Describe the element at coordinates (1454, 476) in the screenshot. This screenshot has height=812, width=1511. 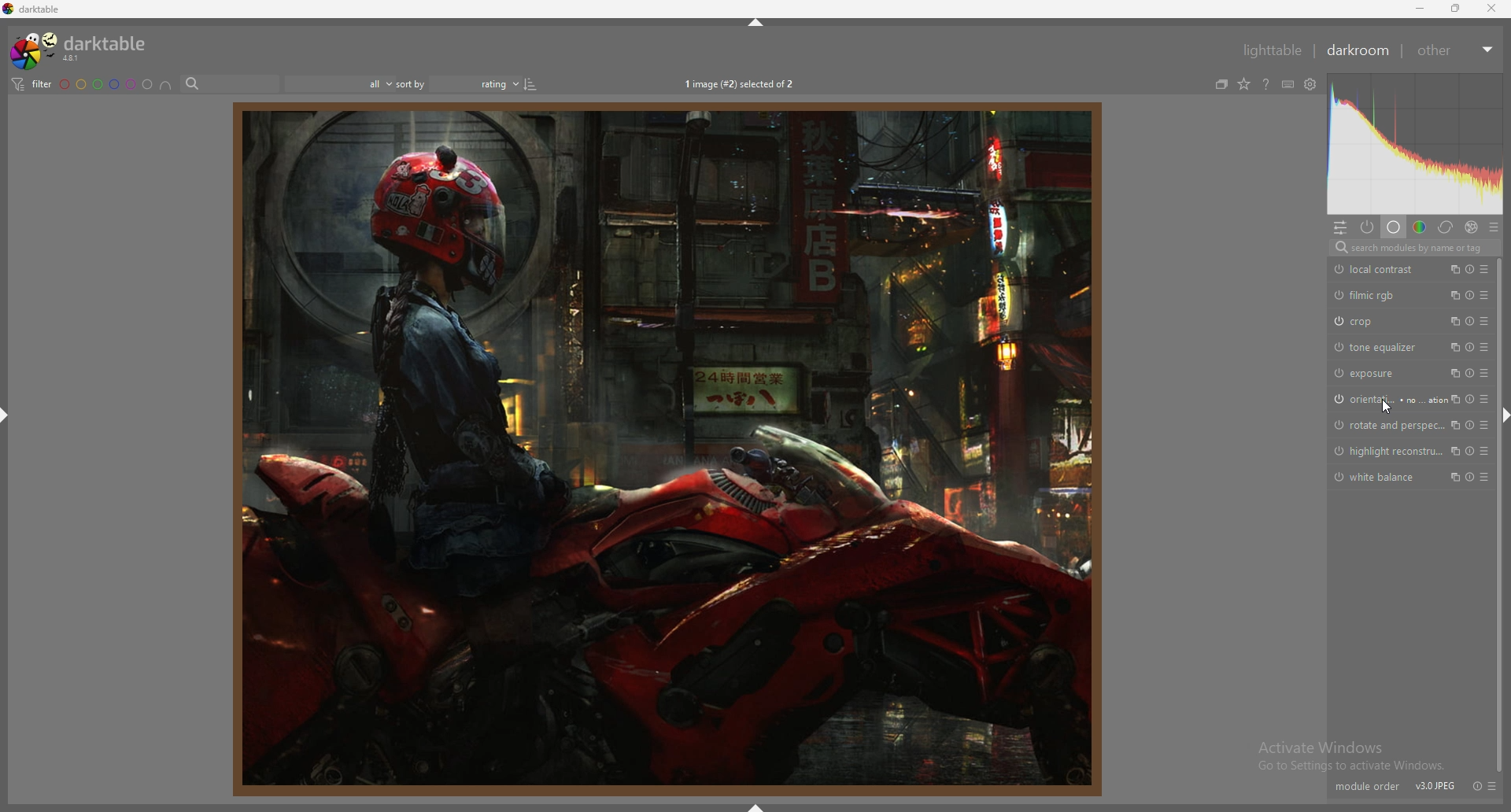
I see `multiple instances action` at that location.